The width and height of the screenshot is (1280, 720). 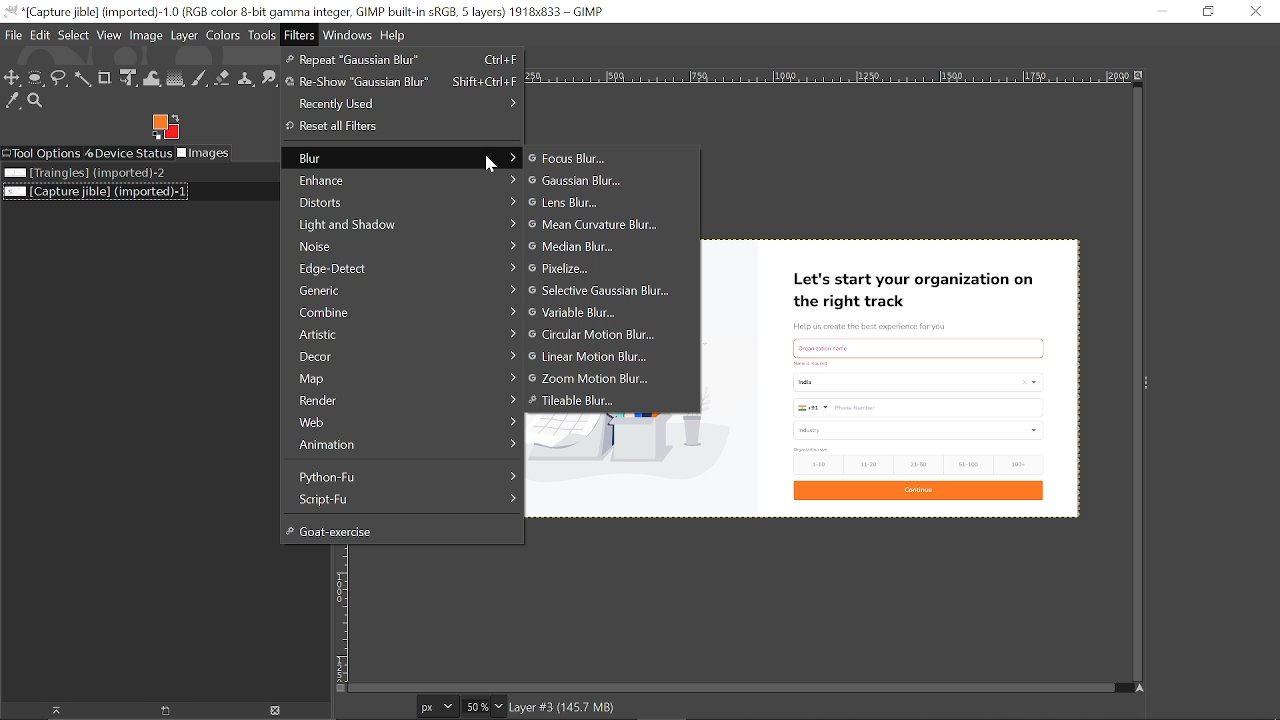 What do you see at coordinates (401, 82) in the screenshot?
I see `Re-show Gaussian blur` at bounding box center [401, 82].